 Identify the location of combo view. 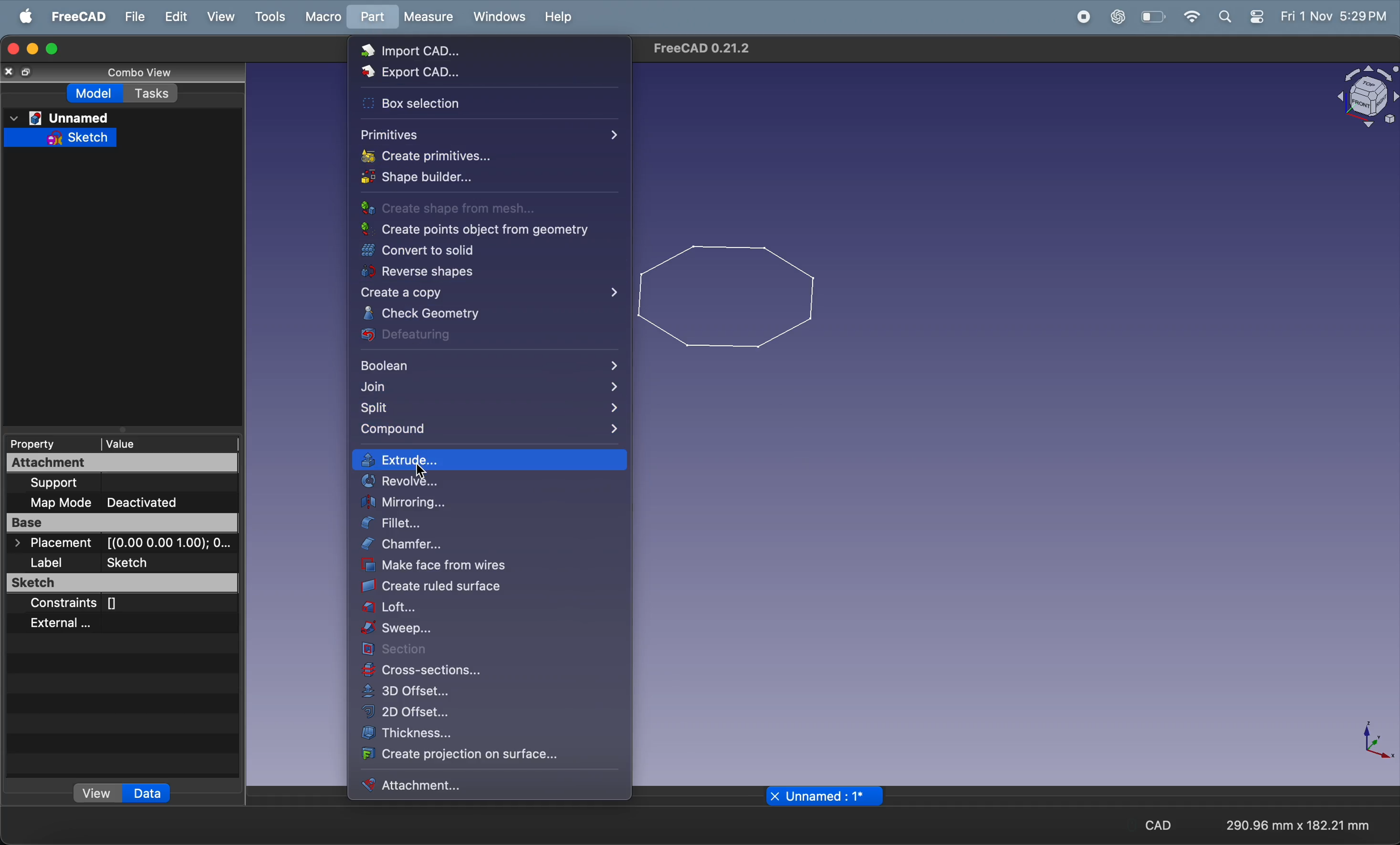
(137, 72).